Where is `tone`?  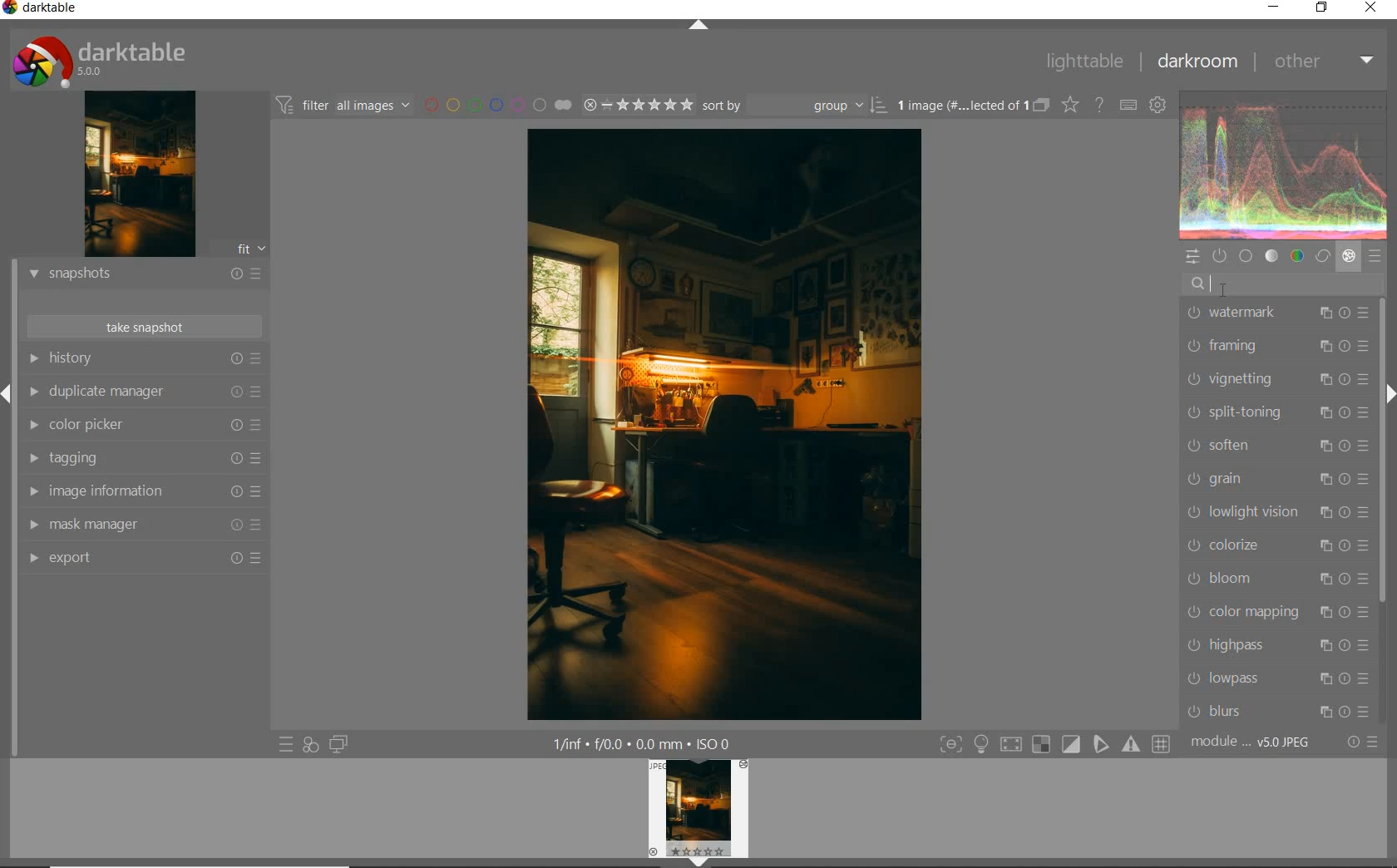
tone is located at coordinates (1271, 255).